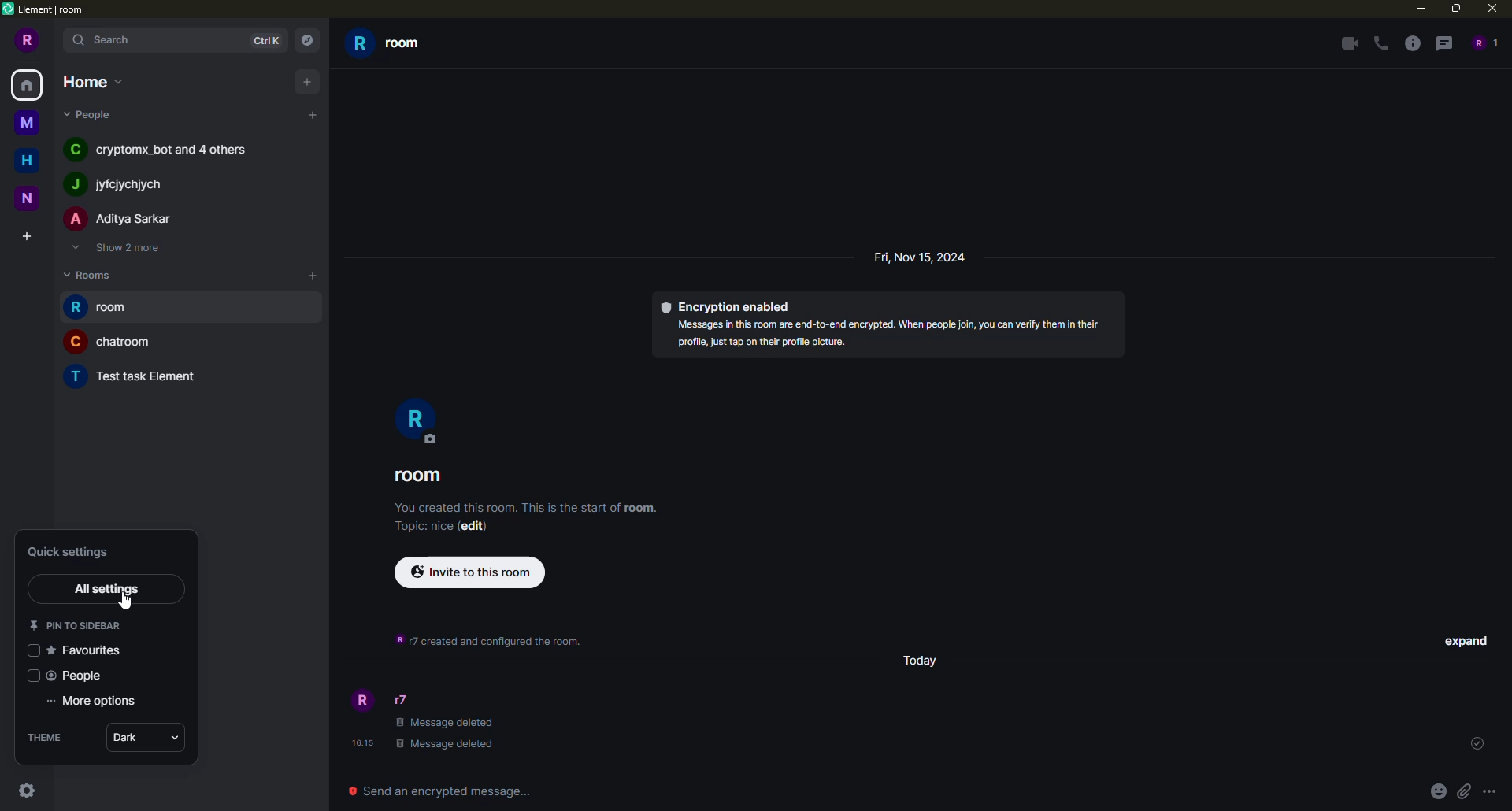 This screenshot has height=811, width=1512. Describe the element at coordinates (360, 702) in the screenshot. I see `profile` at that location.